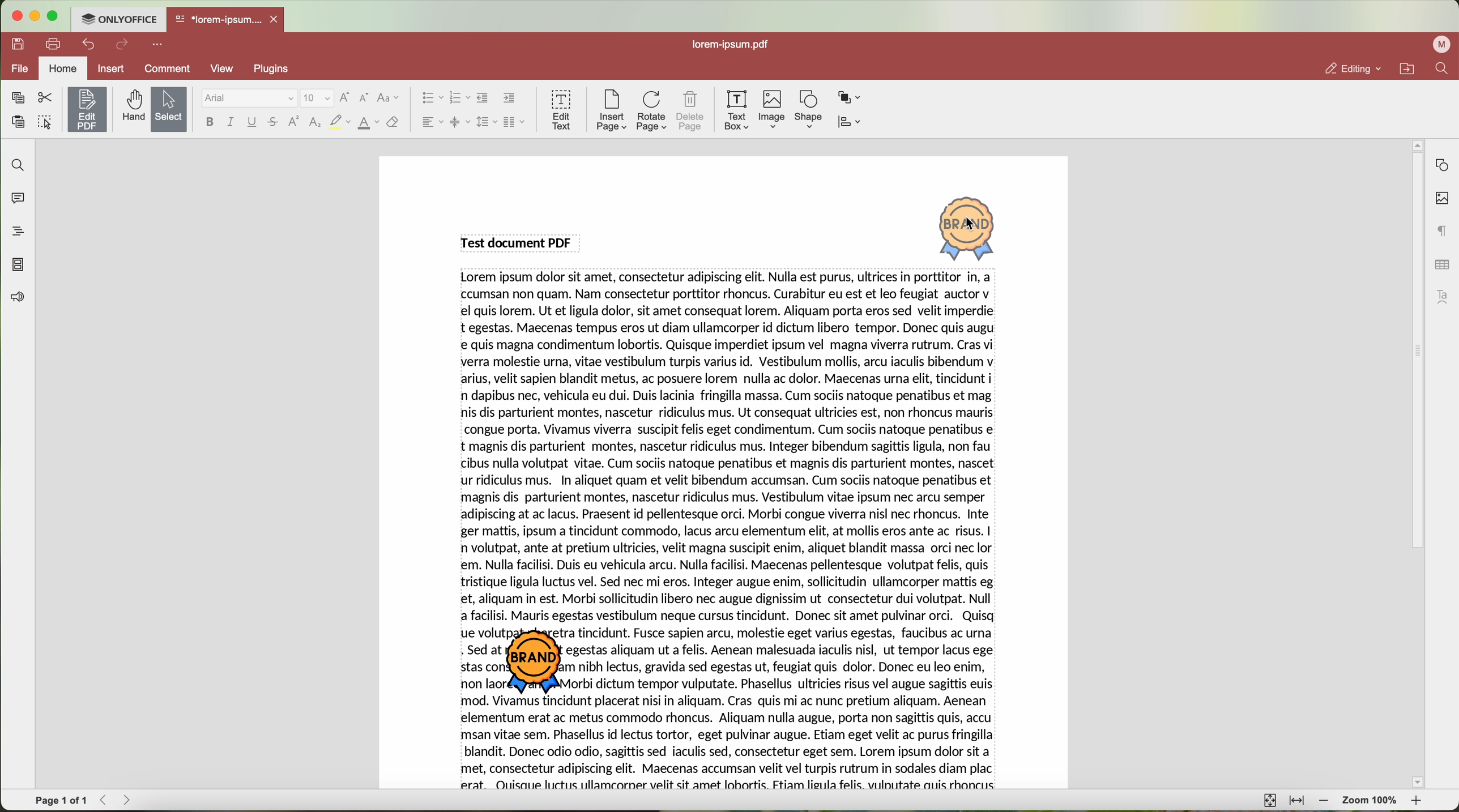 Image resolution: width=1459 pixels, height=812 pixels. I want to click on redo, so click(122, 45).